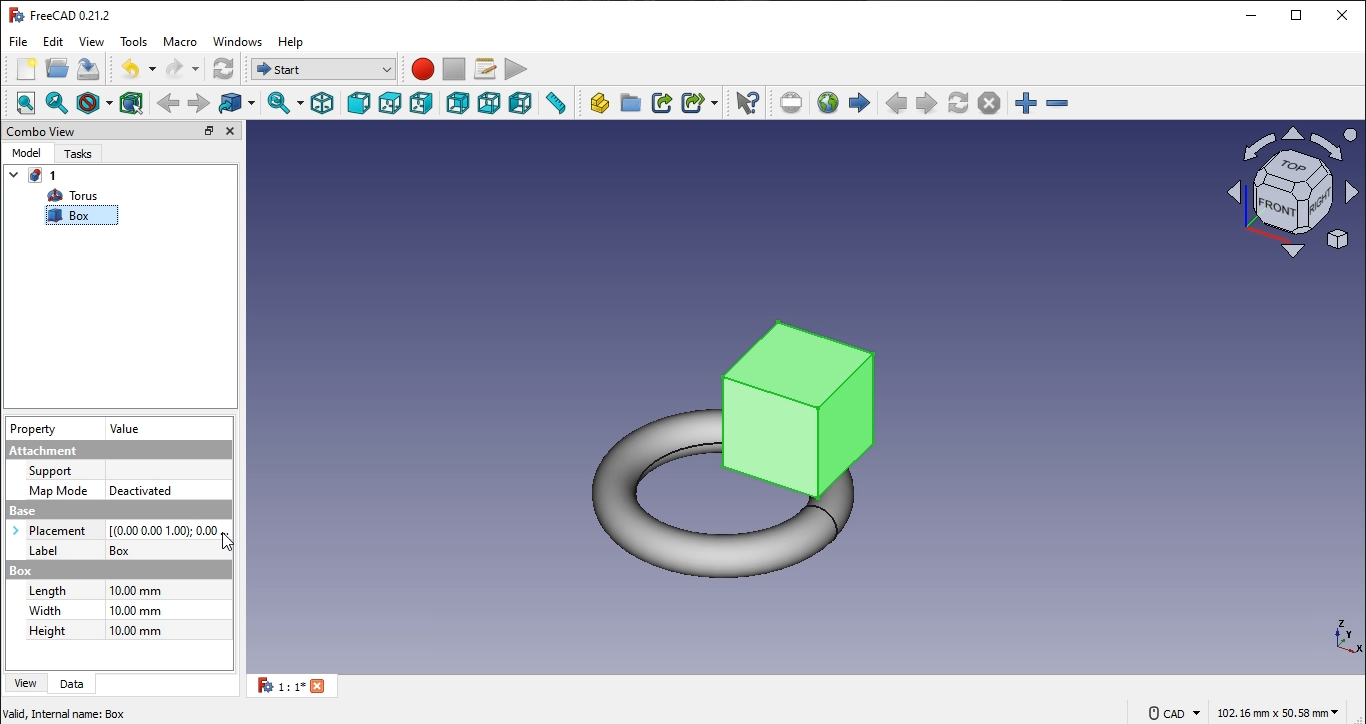 This screenshot has width=1366, height=724. What do you see at coordinates (138, 68) in the screenshot?
I see `undo` at bounding box center [138, 68].